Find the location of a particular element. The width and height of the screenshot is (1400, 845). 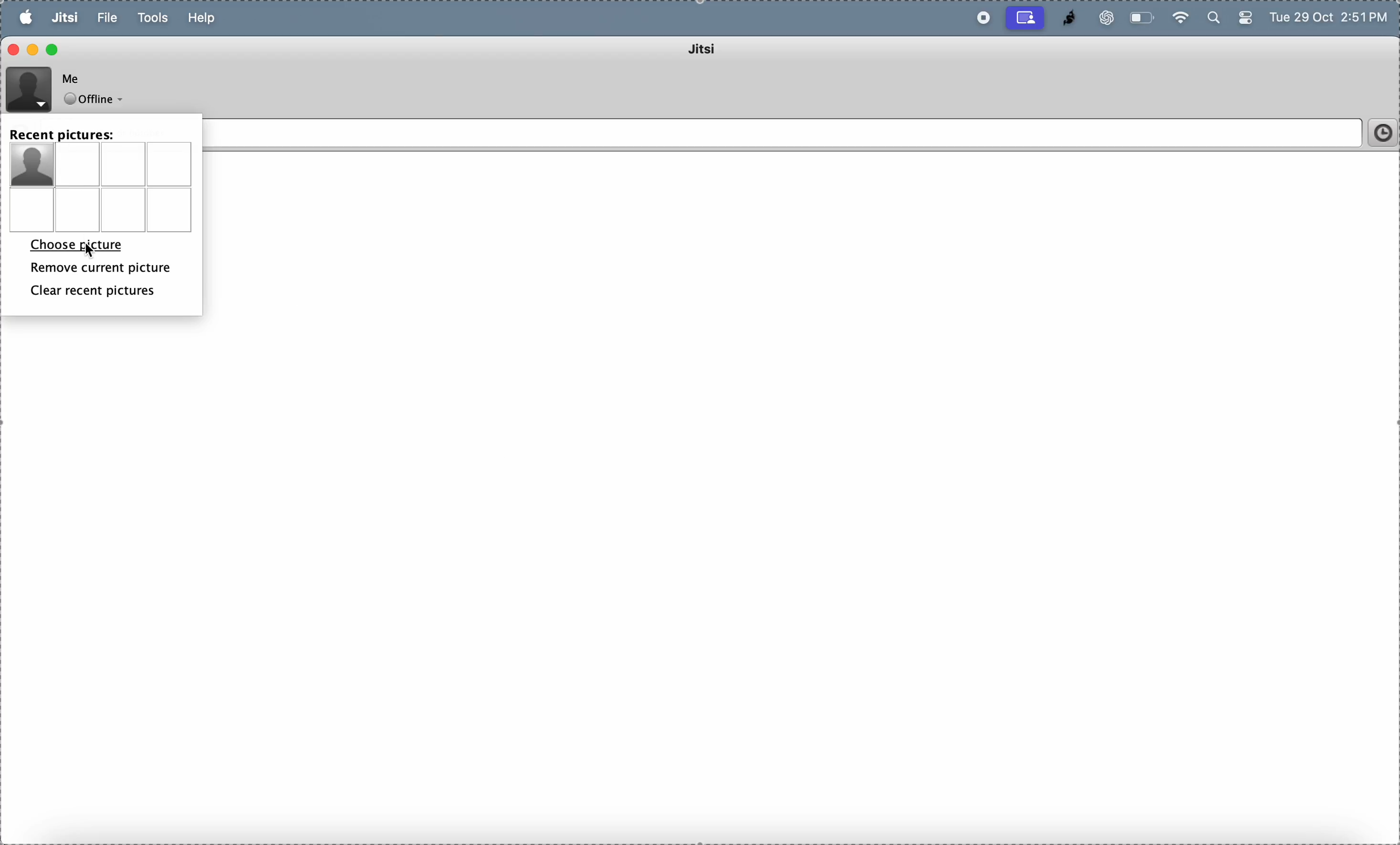

battery is located at coordinates (1143, 18).